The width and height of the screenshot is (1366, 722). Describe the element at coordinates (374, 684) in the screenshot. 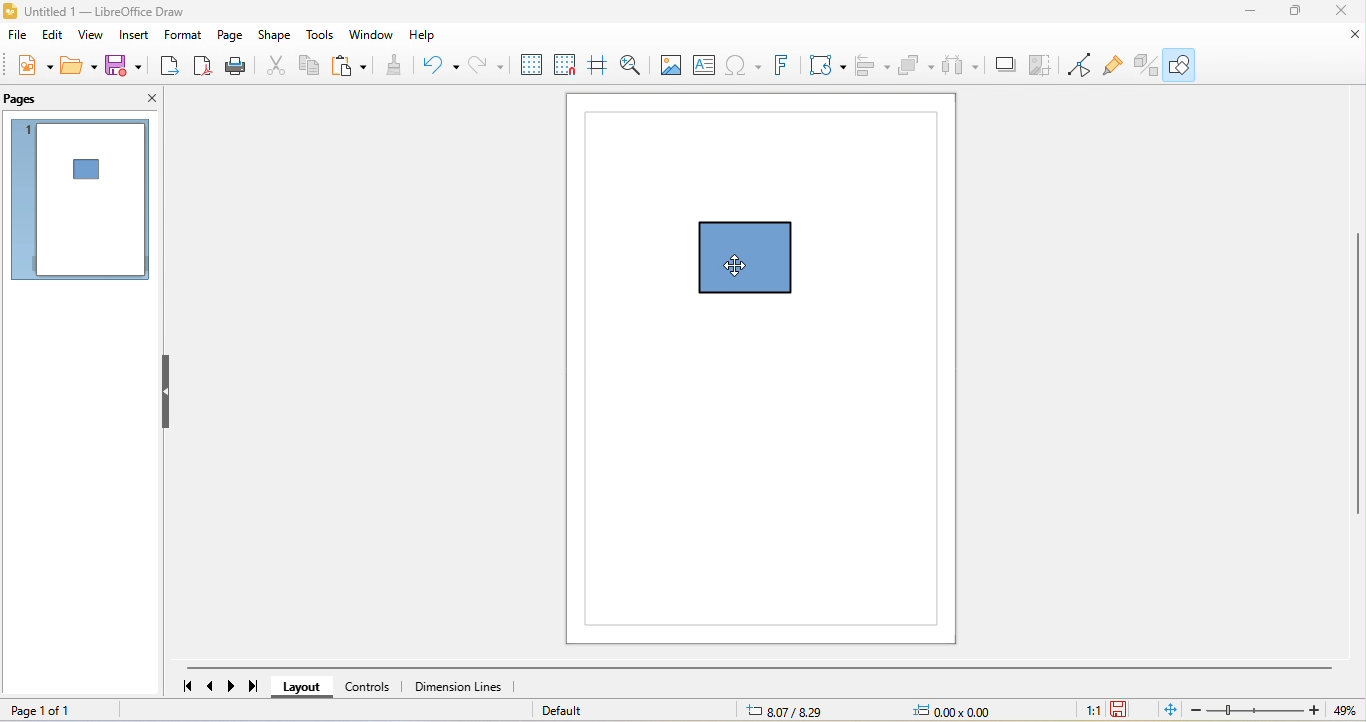

I see `controls` at that location.